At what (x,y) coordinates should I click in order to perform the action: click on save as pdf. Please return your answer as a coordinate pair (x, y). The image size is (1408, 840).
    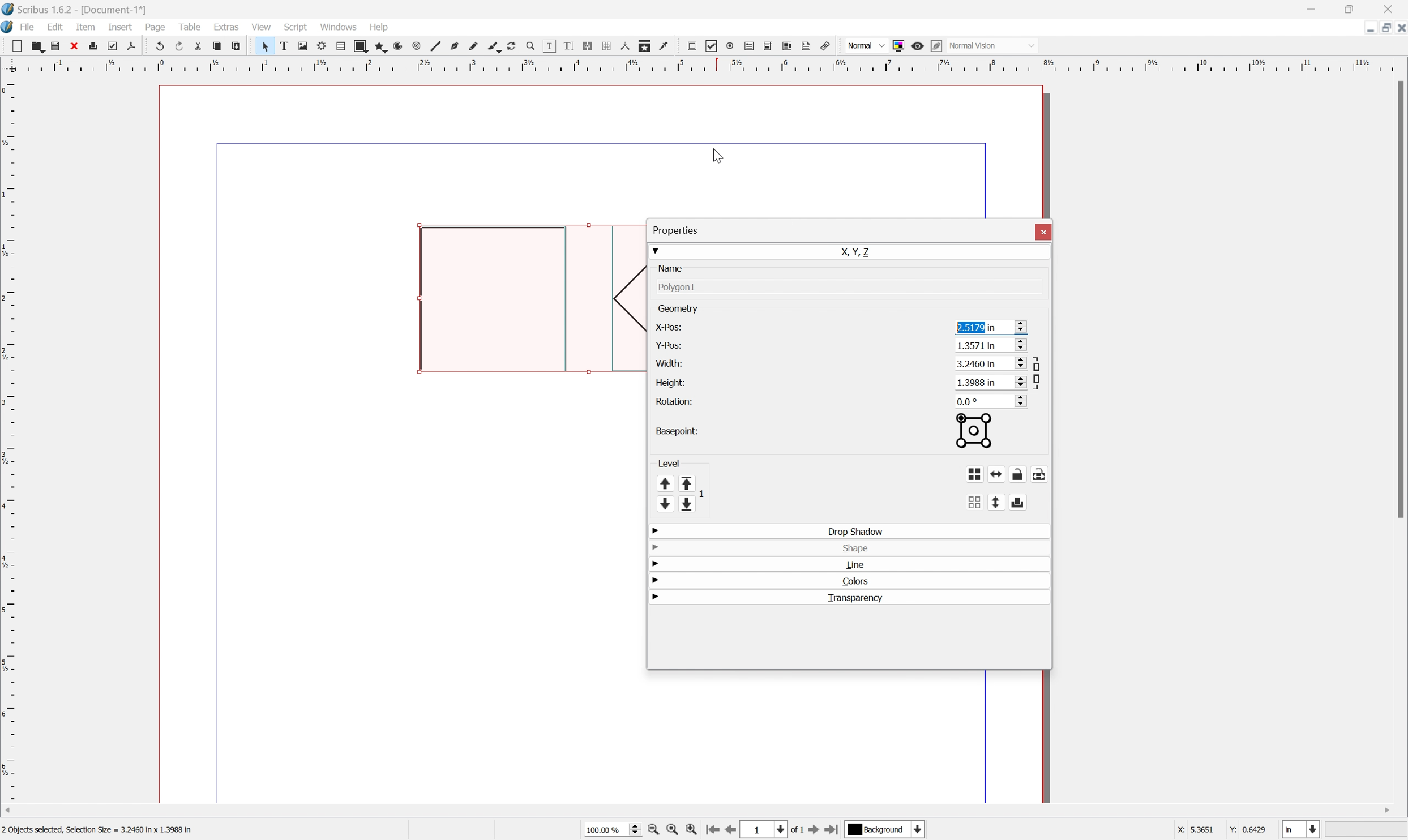
    Looking at the image, I should click on (135, 44).